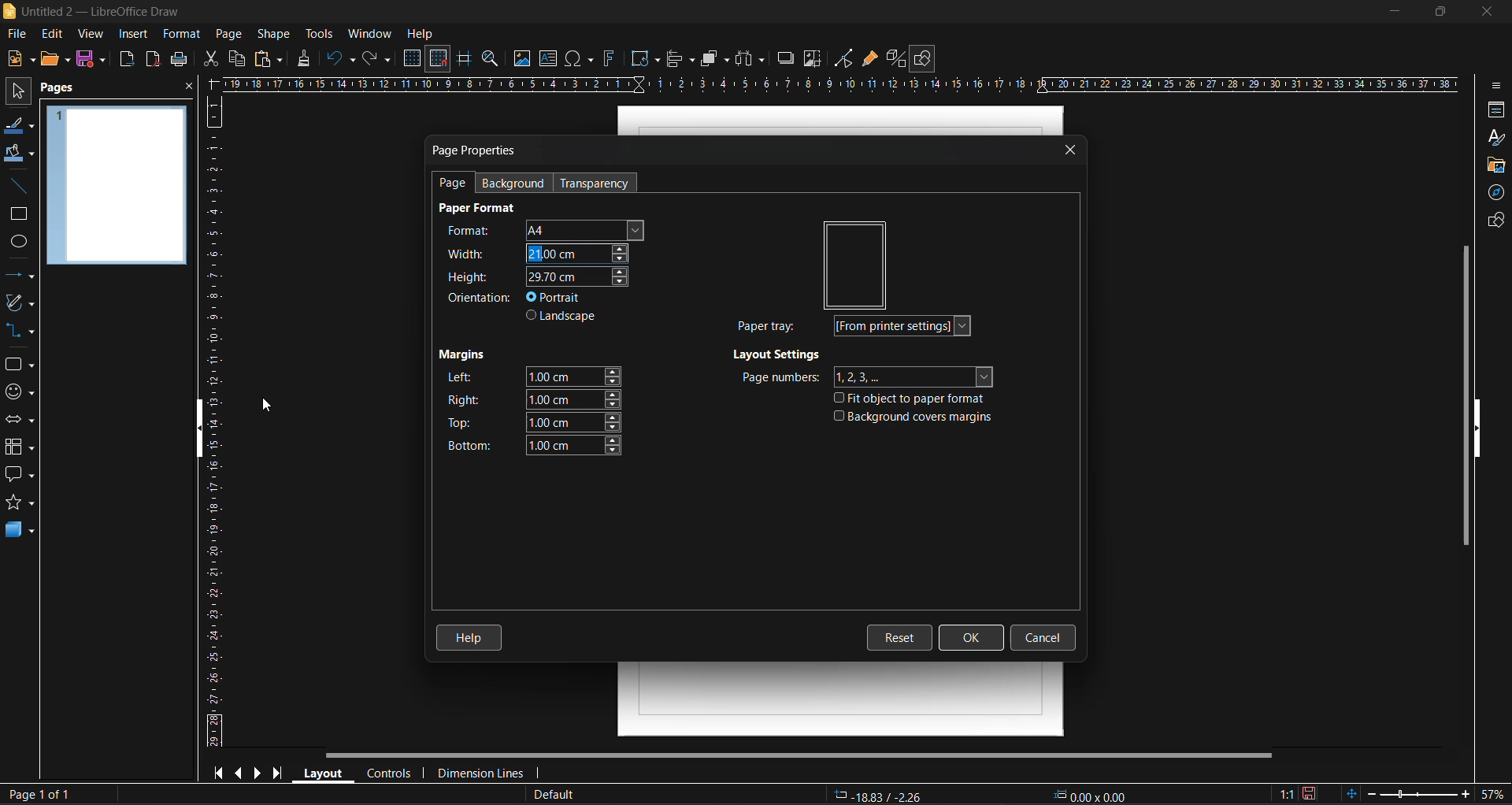  What do you see at coordinates (94, 61) in the screenshot?
I see `save` at bounding box center [94, 61].